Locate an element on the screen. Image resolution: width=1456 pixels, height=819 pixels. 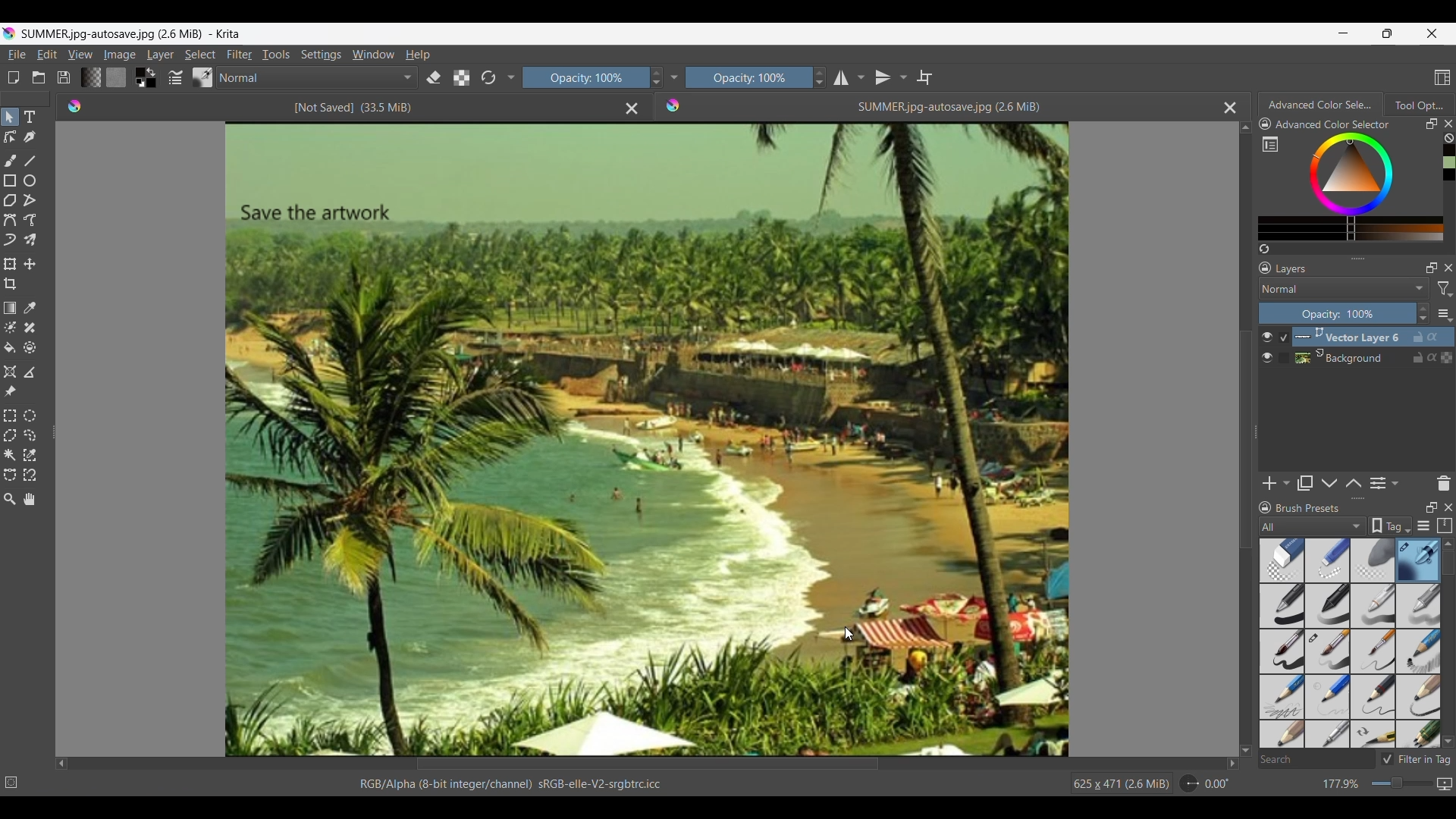
Select is located at coordinates (200, 55).